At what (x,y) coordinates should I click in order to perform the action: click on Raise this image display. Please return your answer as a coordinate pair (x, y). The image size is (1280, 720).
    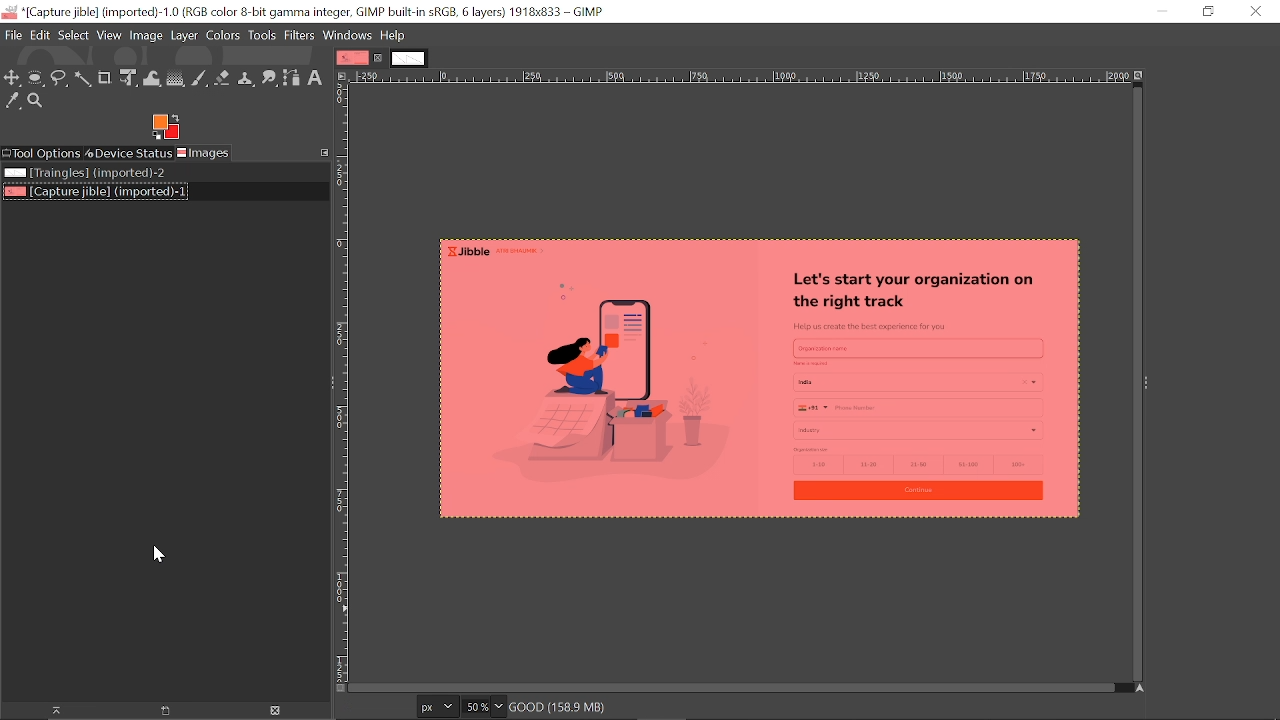
    Looking at the image, I should click on (48, 710).